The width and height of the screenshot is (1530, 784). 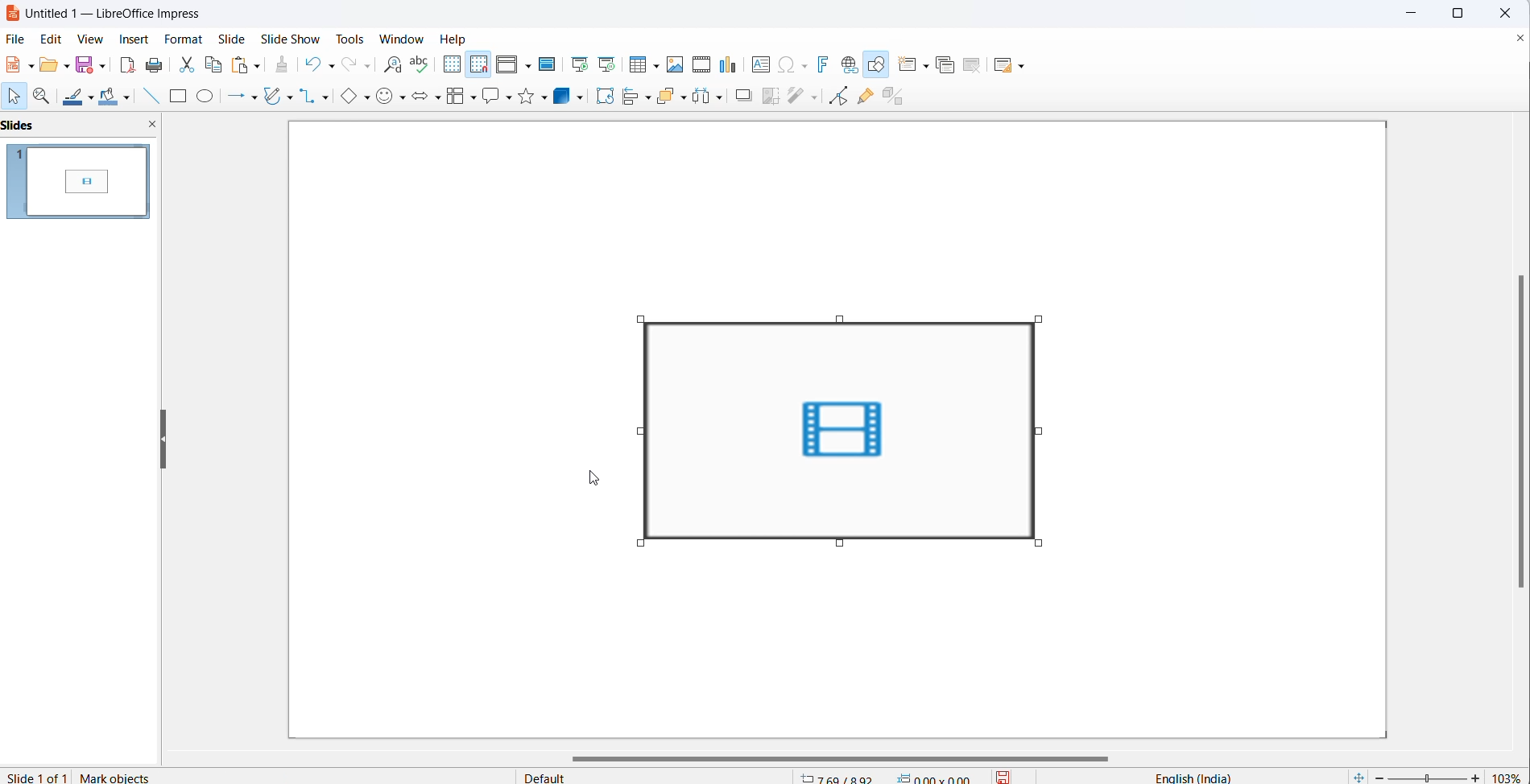 What do you see at coordinates (703, 62) in the screenshot?
I see `insert audio or video` at bounding box center [703, 62].